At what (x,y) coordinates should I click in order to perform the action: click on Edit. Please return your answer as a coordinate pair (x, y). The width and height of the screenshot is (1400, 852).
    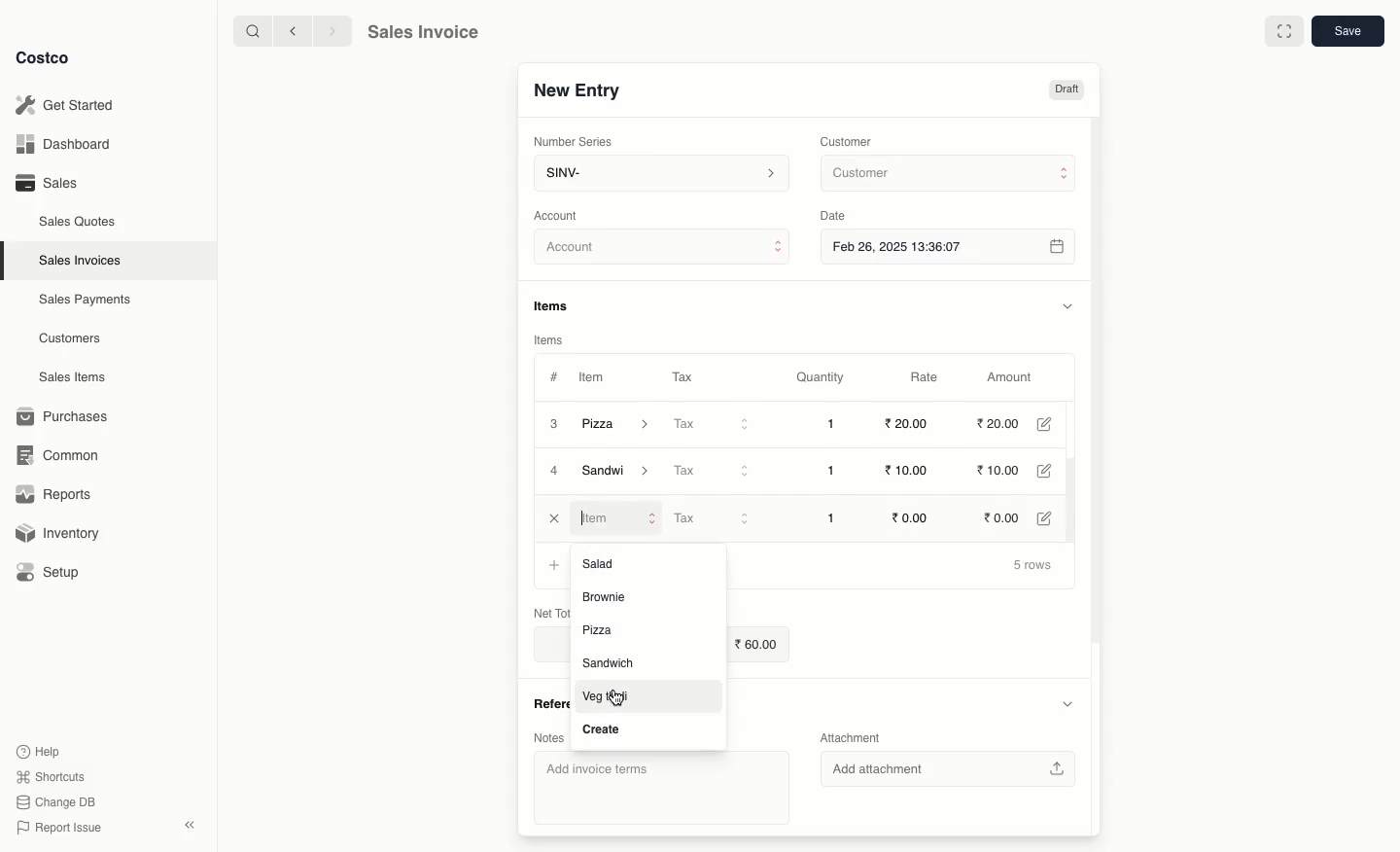
    Looking at the image, I should click on (1052, 424).